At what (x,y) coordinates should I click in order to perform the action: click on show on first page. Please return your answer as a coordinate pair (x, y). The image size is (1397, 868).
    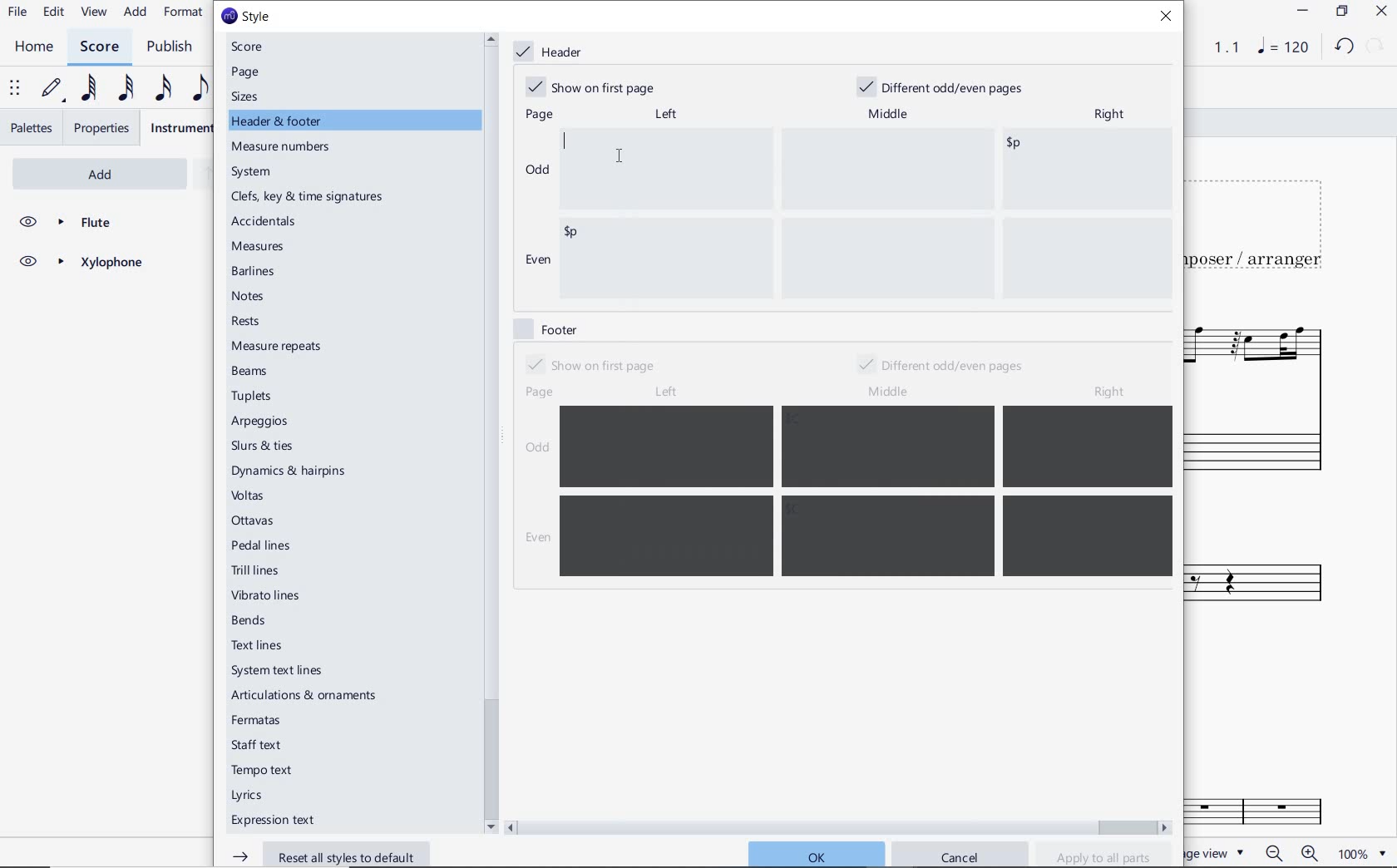
    Looking at the image, I should click on (595, 86).